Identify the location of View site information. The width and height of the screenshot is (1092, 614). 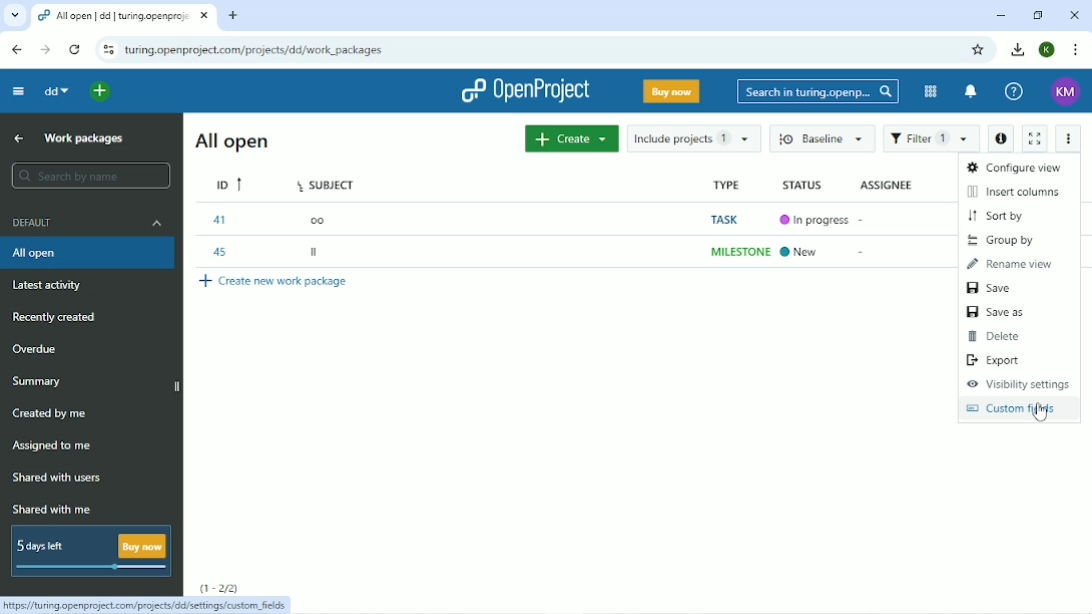
(108, 49).